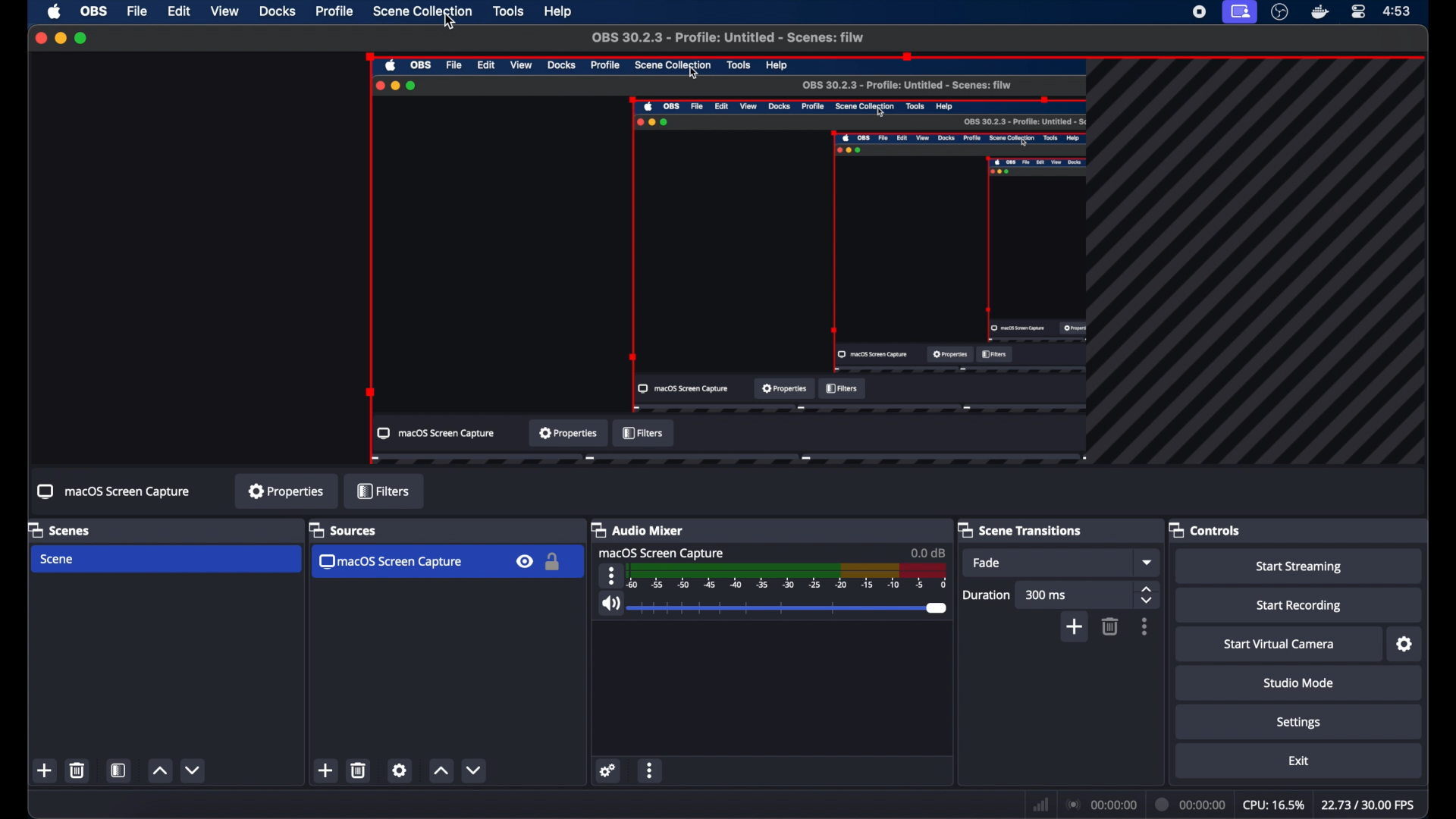 The width and height of the screenshot is (1456, 819). What do you see at coordinates (1303, 723) in the screenshot?
I see `settings` at bounding box center [1303, 723].